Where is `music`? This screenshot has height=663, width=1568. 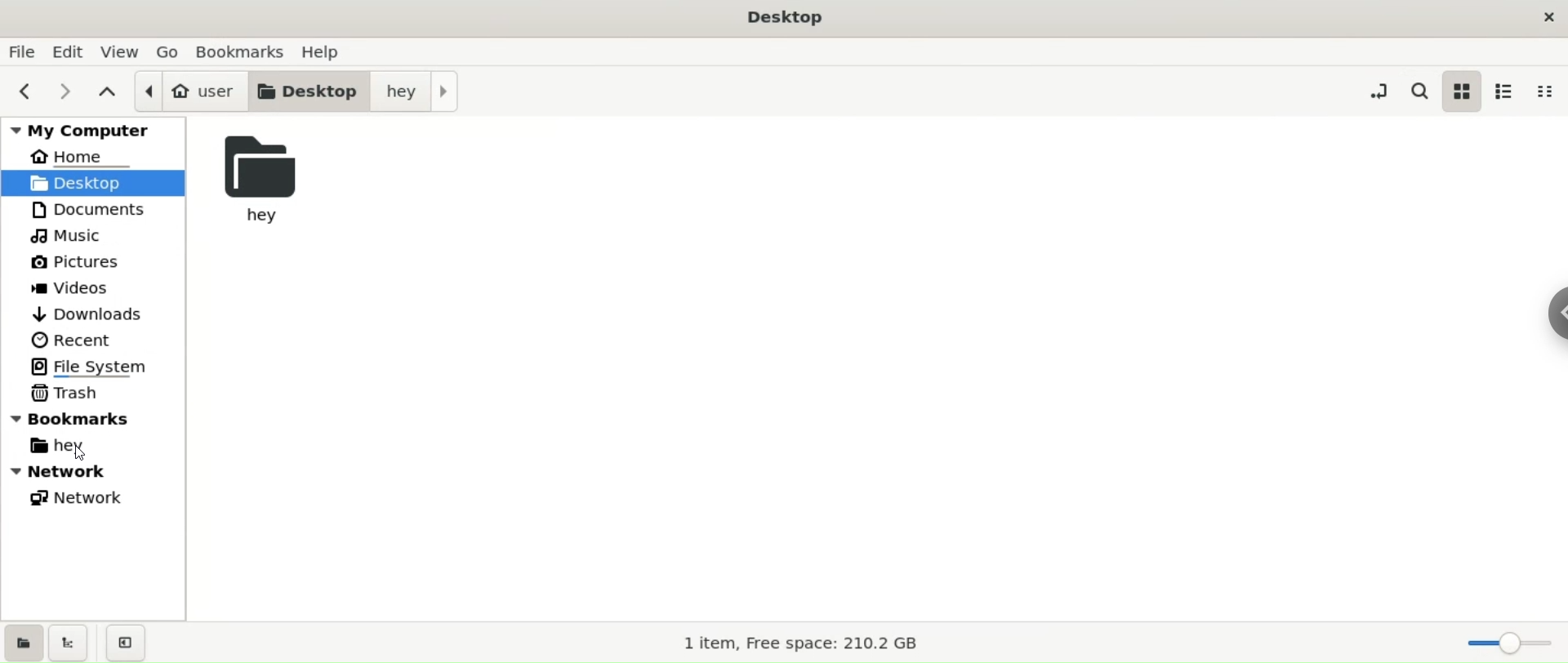
music is located at coordinates (70, 234).